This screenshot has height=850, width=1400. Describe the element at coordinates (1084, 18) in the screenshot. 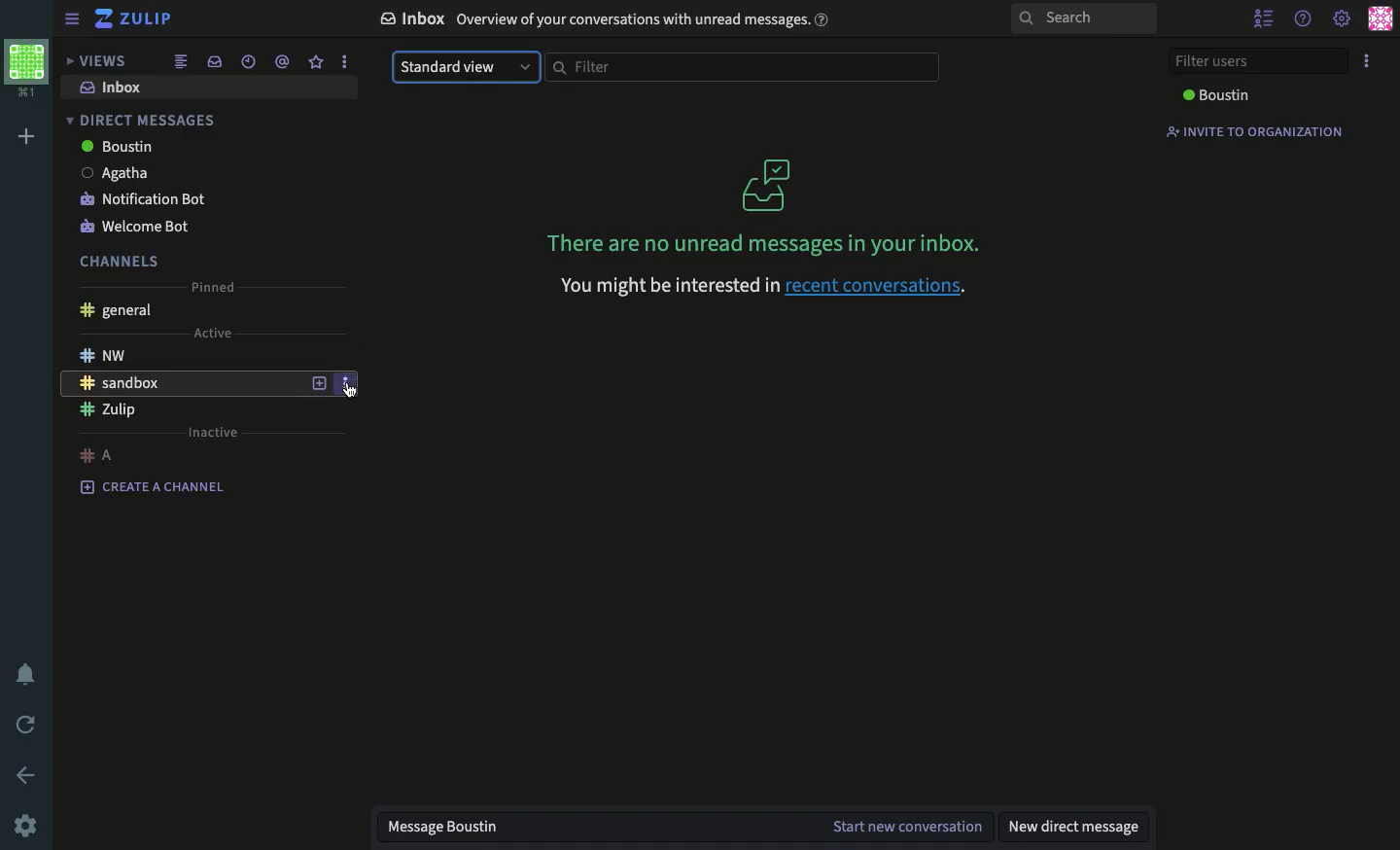

I see `Search` at that location.